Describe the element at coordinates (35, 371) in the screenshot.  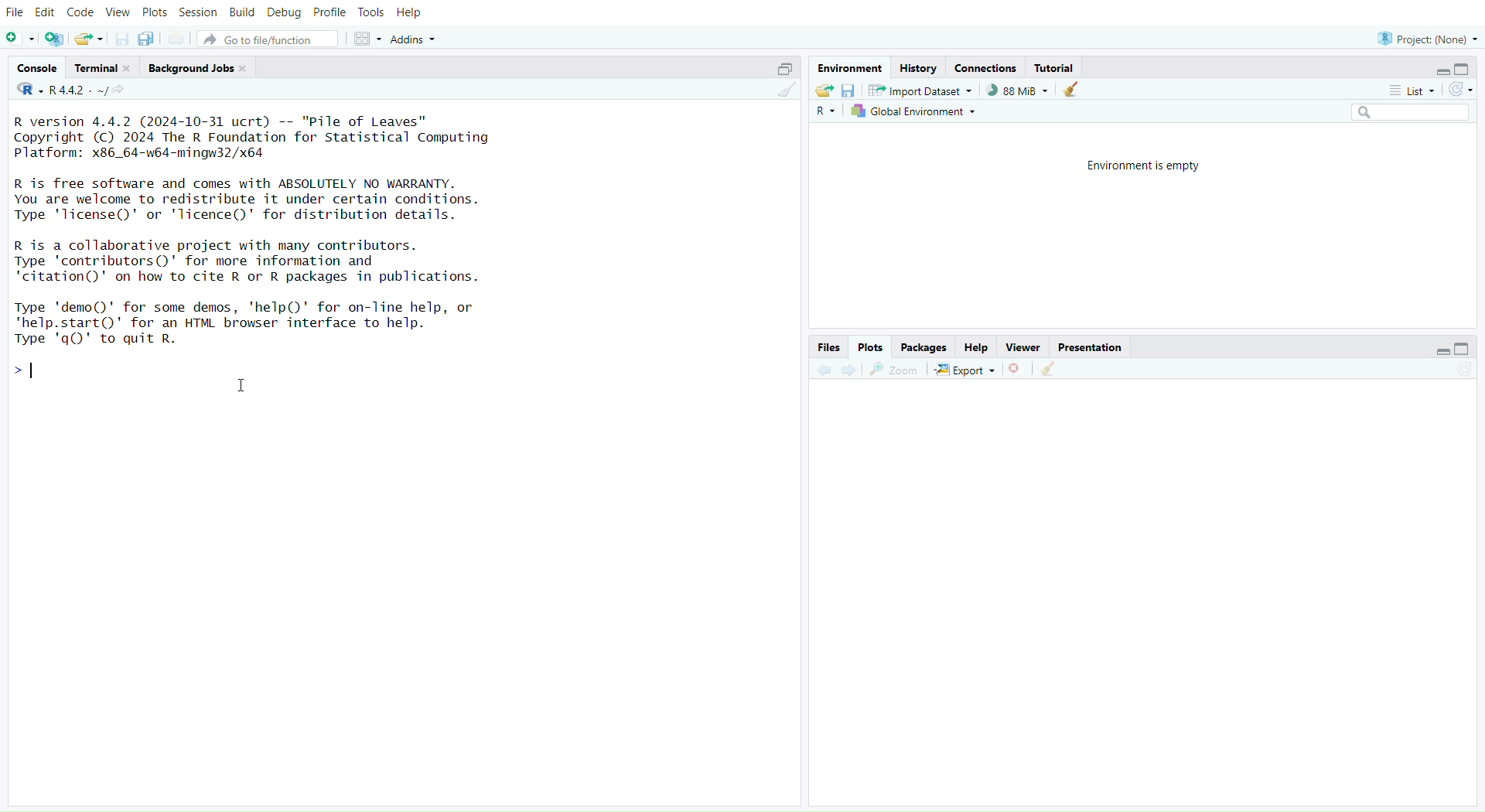
I see `text cursor` at that location.